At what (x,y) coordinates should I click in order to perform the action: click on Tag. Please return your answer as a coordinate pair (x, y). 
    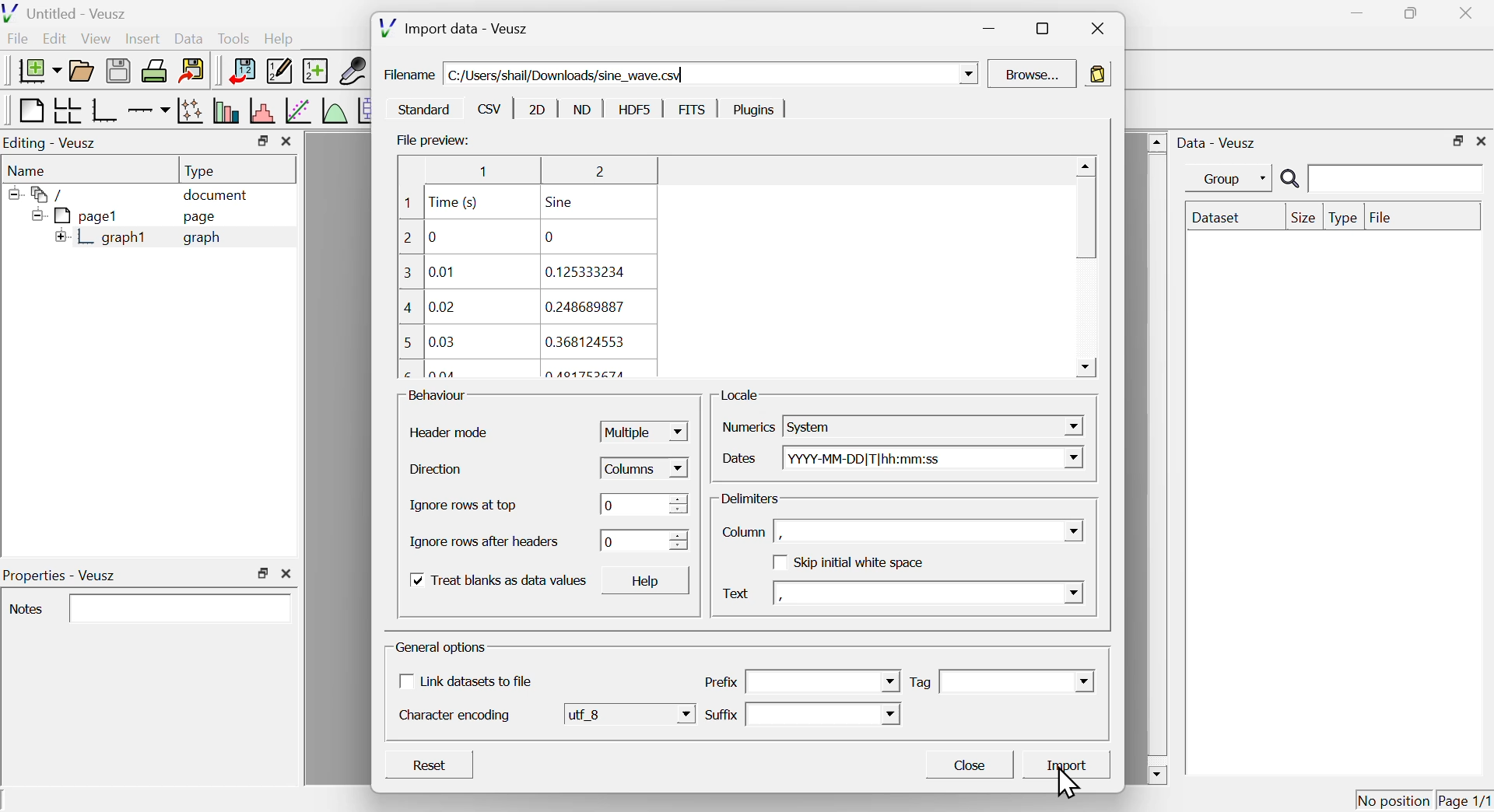
    Looking at the image, I should click on (921, 683).